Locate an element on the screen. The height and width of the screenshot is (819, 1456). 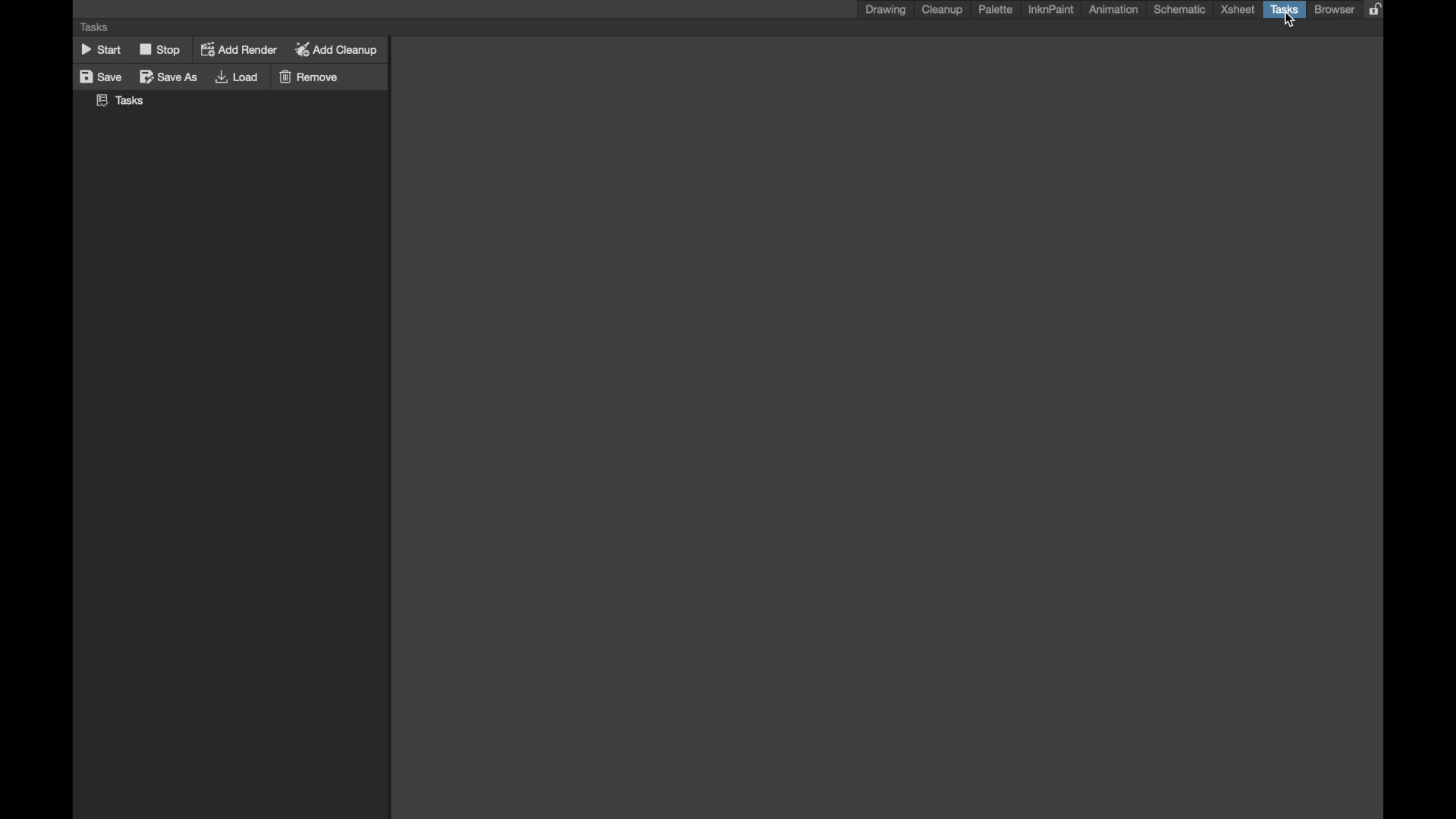
Cursor is located at coordinates (1291, 24).